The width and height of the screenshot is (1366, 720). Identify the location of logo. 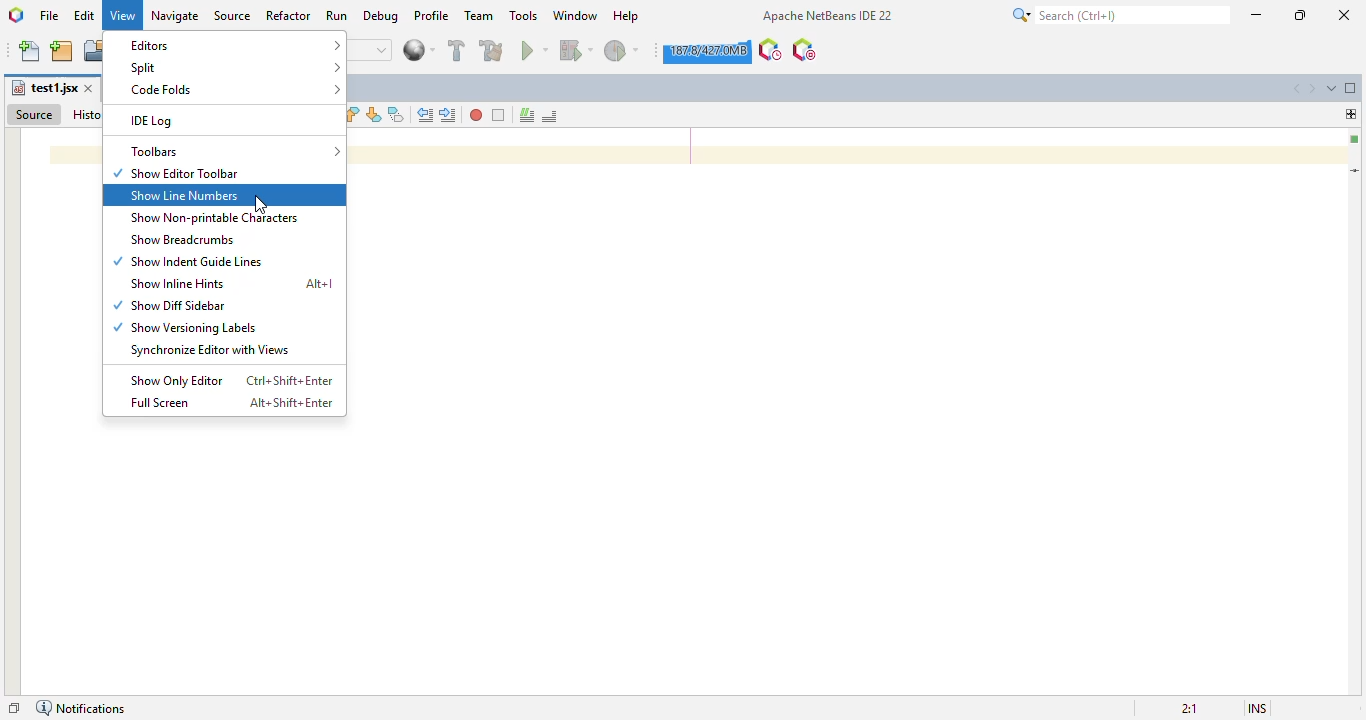
(15, 15).